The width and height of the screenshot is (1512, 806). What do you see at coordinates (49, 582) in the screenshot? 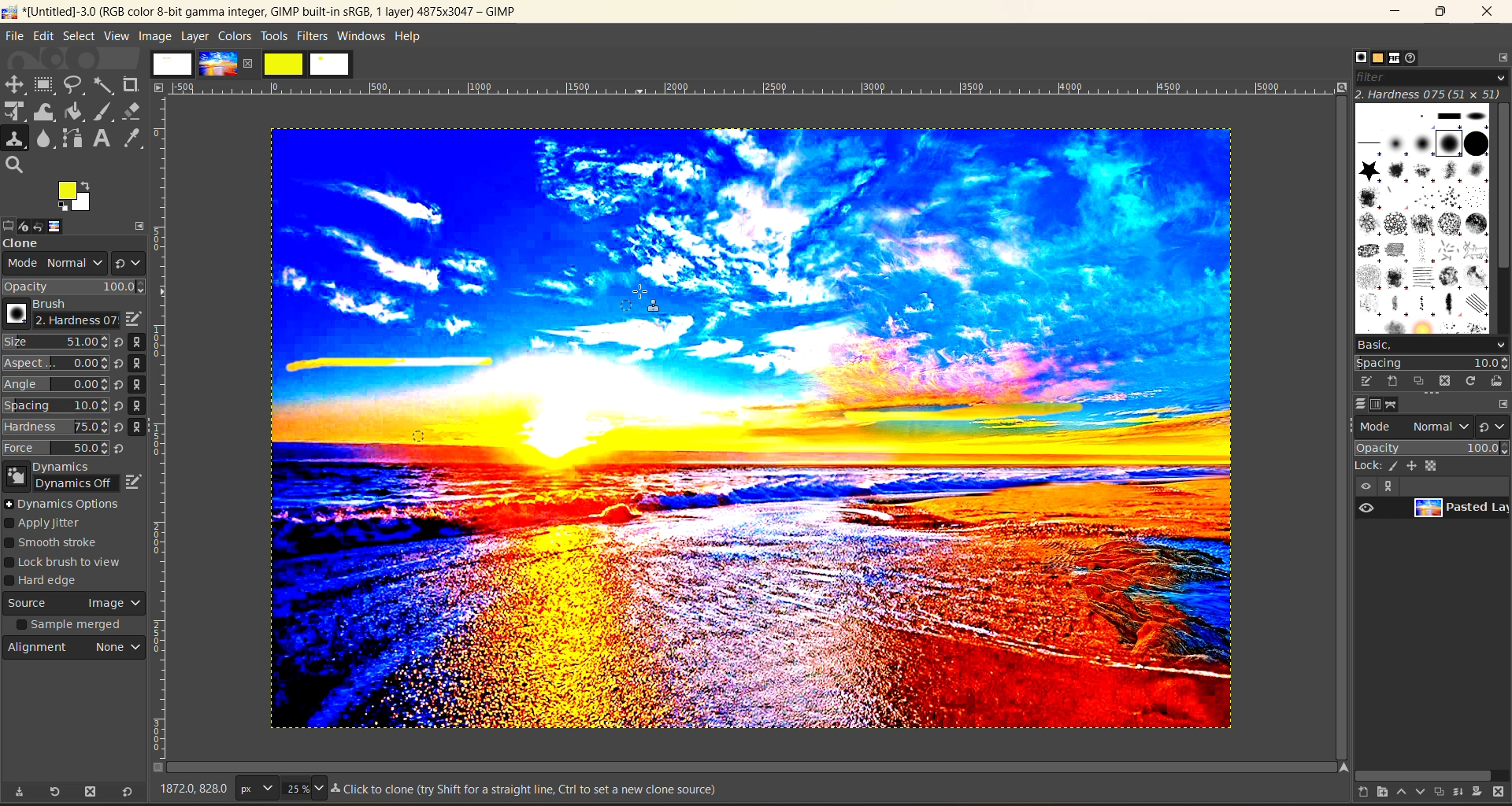
I see `hard edge` at bounding box center [49, 582].